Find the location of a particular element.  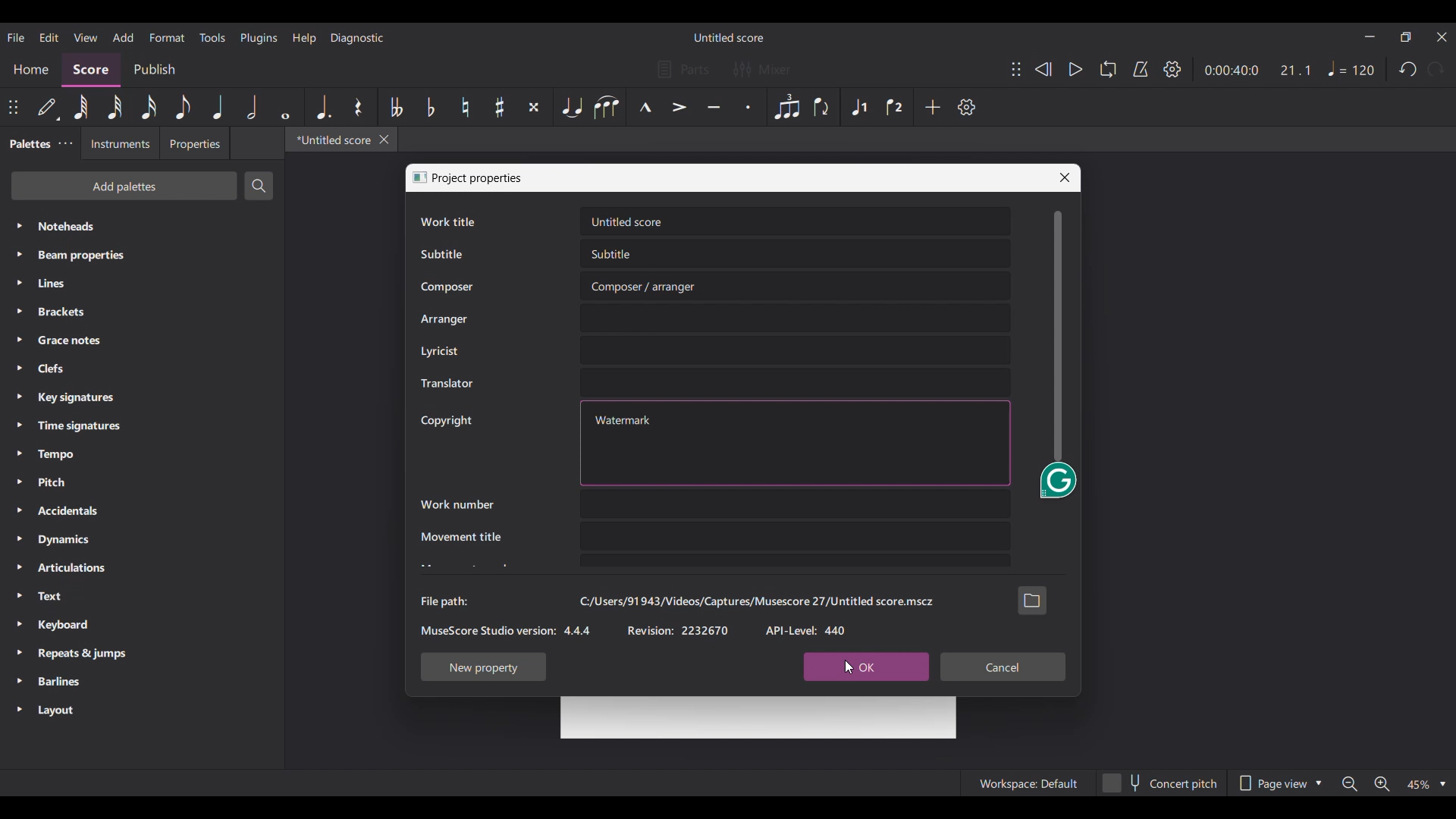

Slur is located at coordinates (607, 107).